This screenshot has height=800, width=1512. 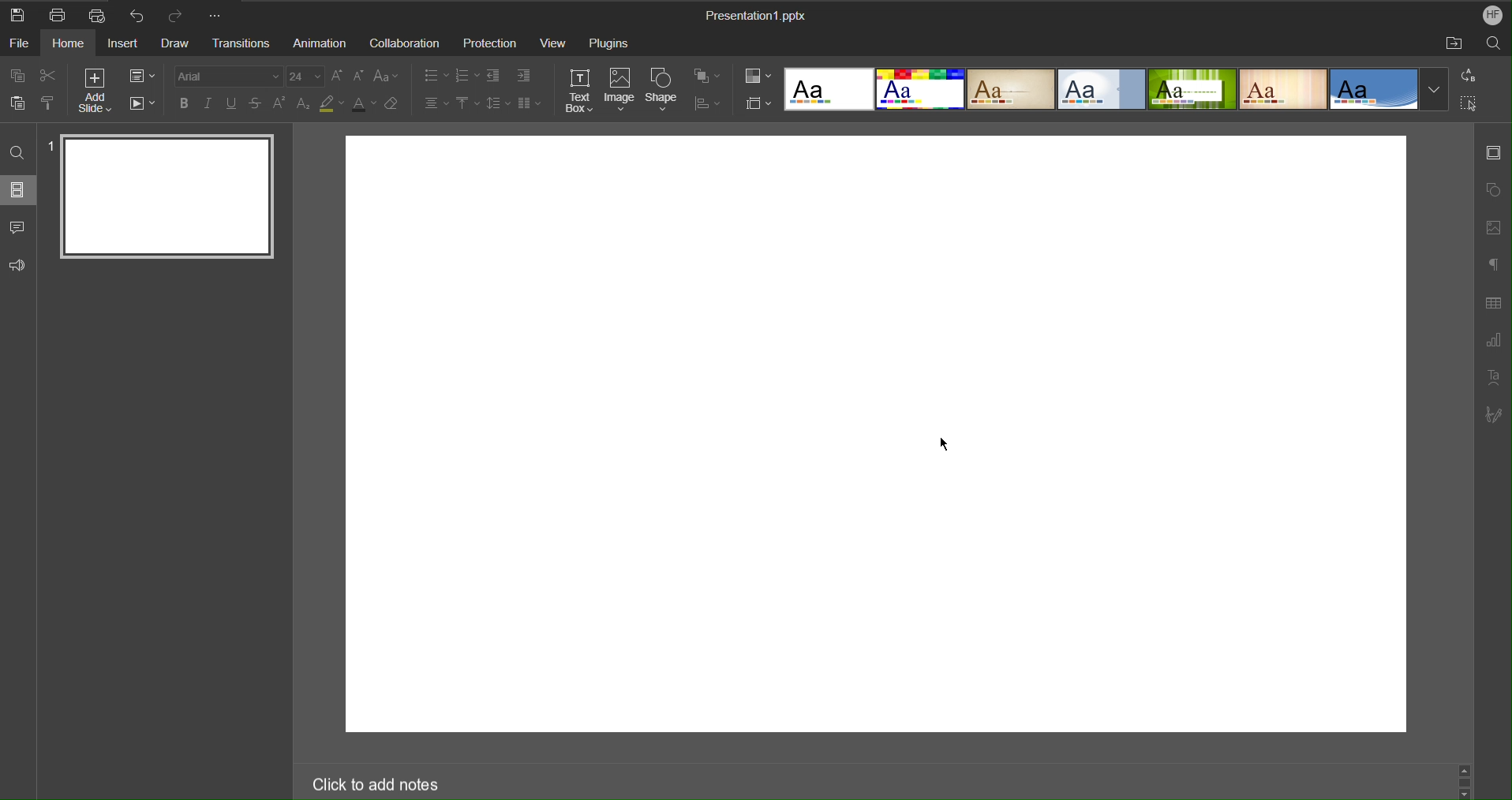 I want to click on Transitions, so click(x=241, y=43).